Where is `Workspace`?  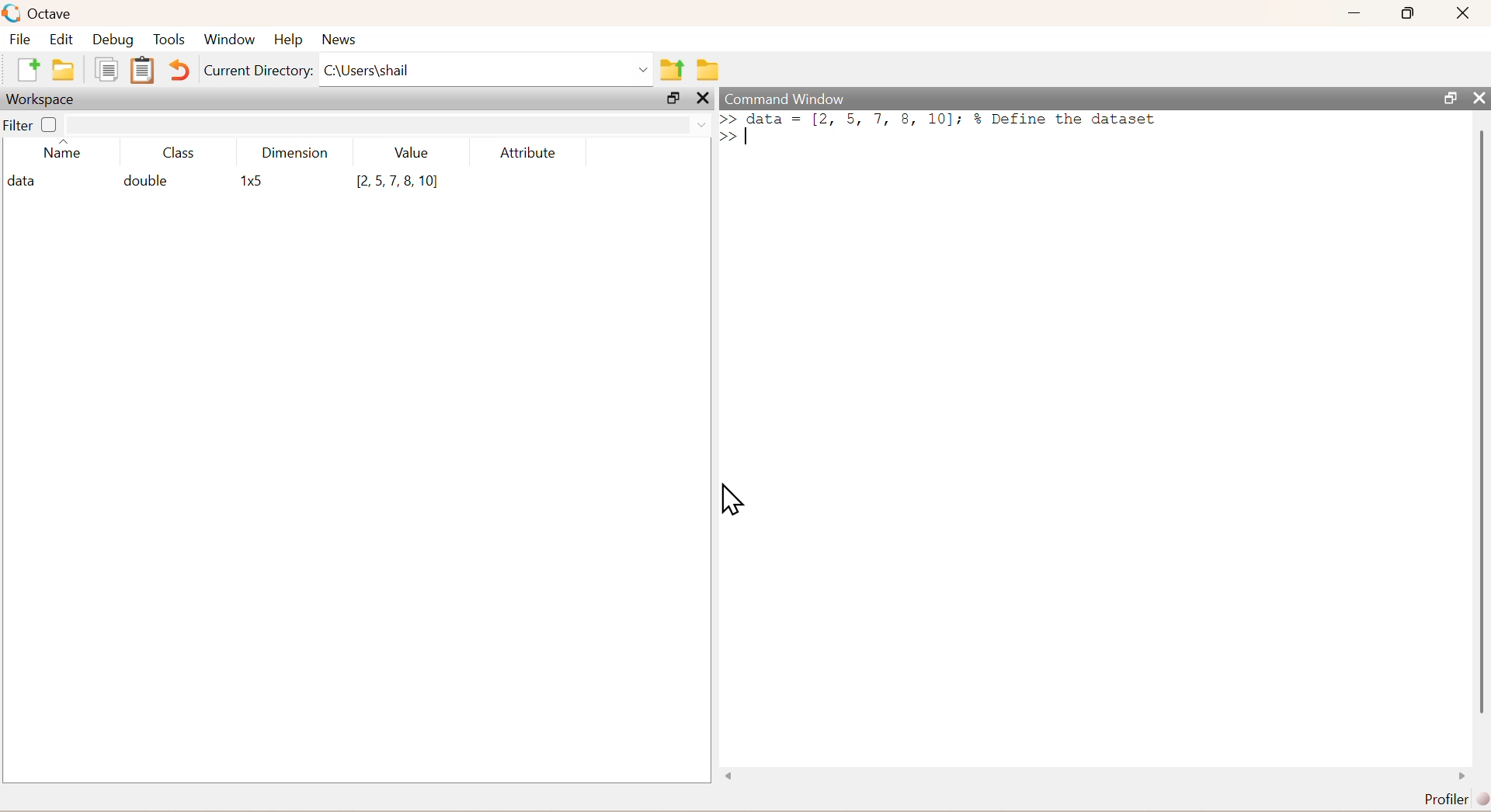
Workspace is located at coordinates (40, 100).